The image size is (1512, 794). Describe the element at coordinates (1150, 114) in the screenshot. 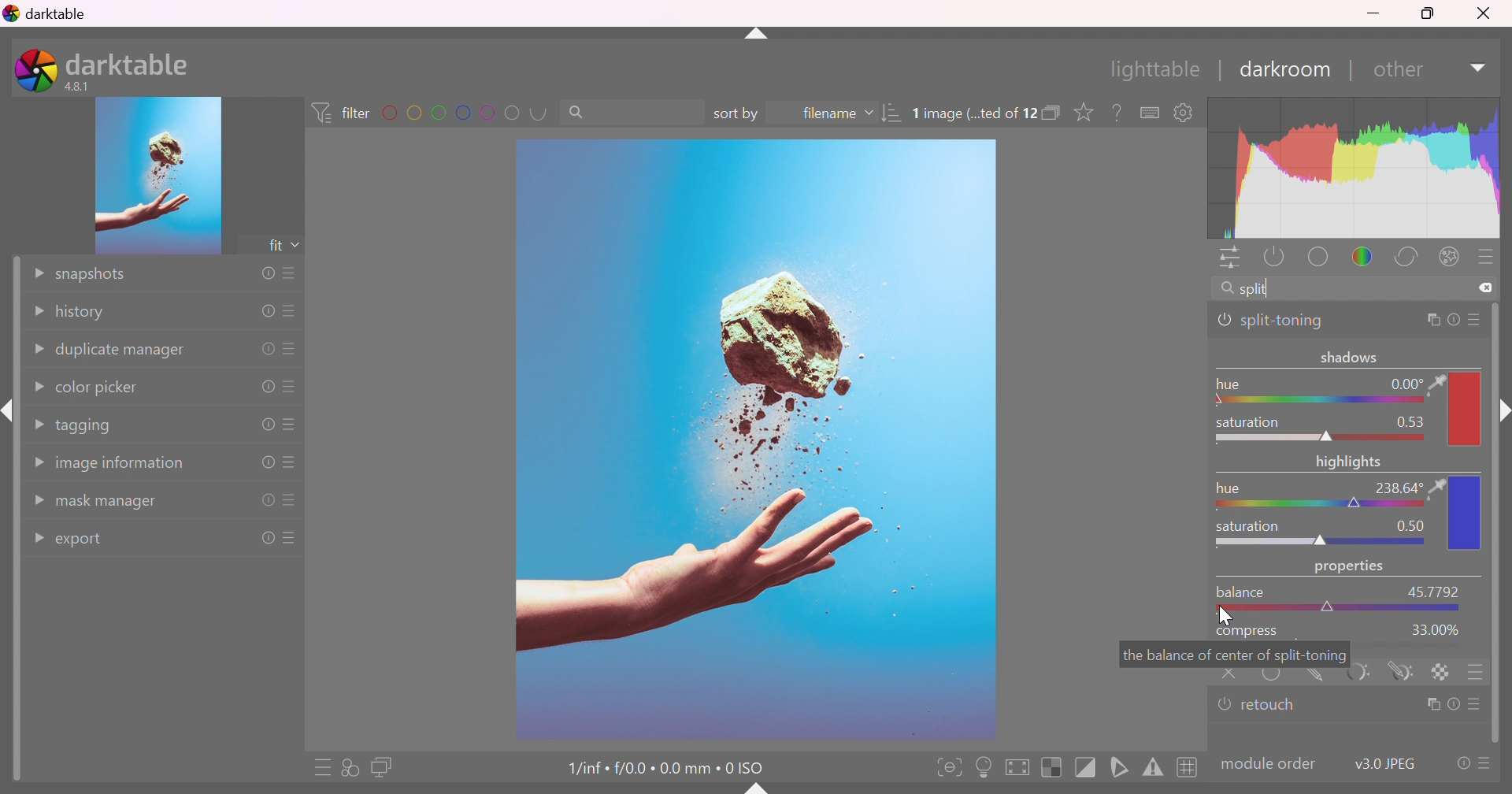

I see `define shortcuts` at that location.